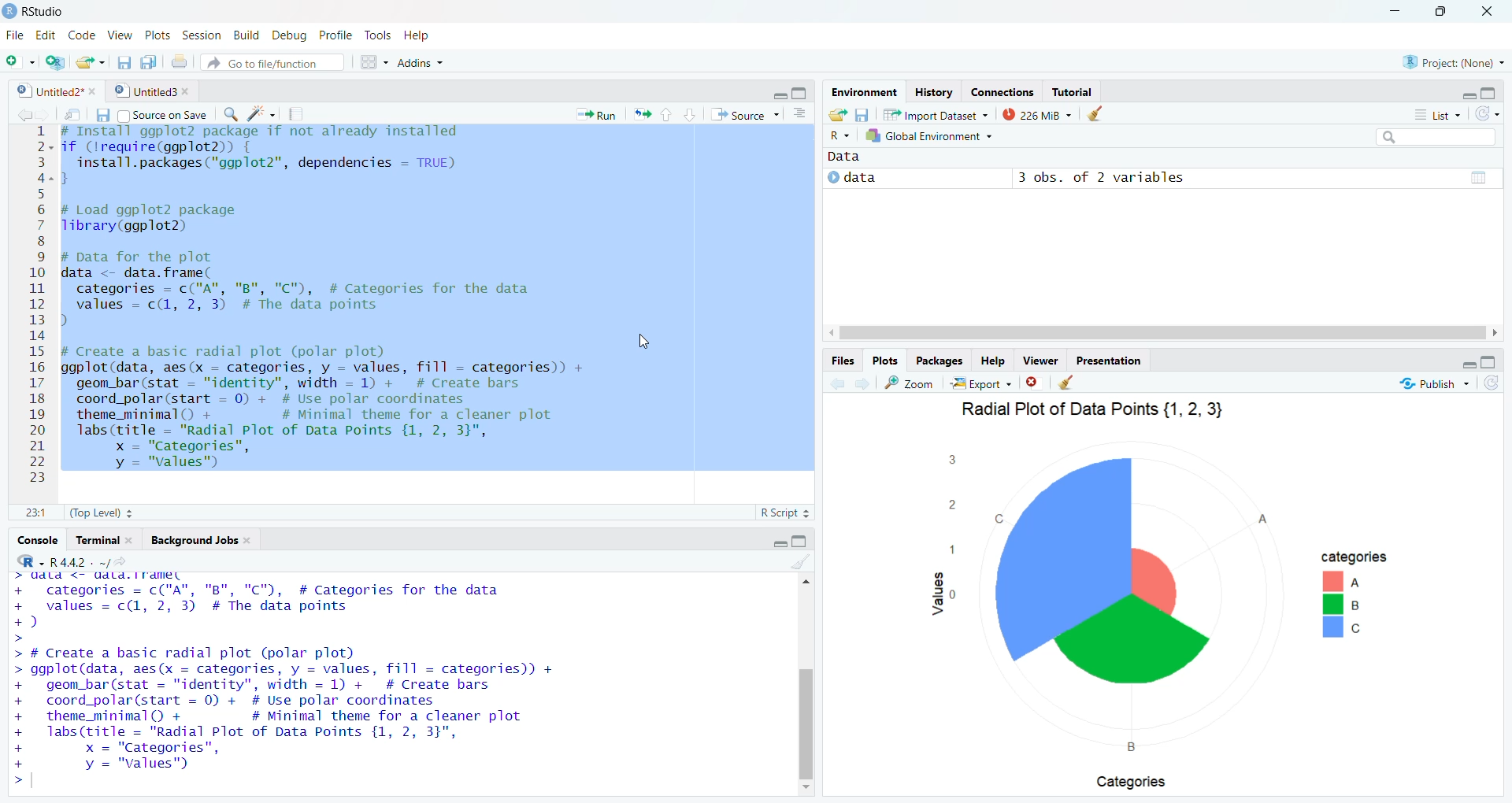 Image resolution: width=1512 pixels, height=803 pixels. What do you see at coordinates (263, 113) in the screenshot?
I see `code tools` at bounding box center [263, 113].